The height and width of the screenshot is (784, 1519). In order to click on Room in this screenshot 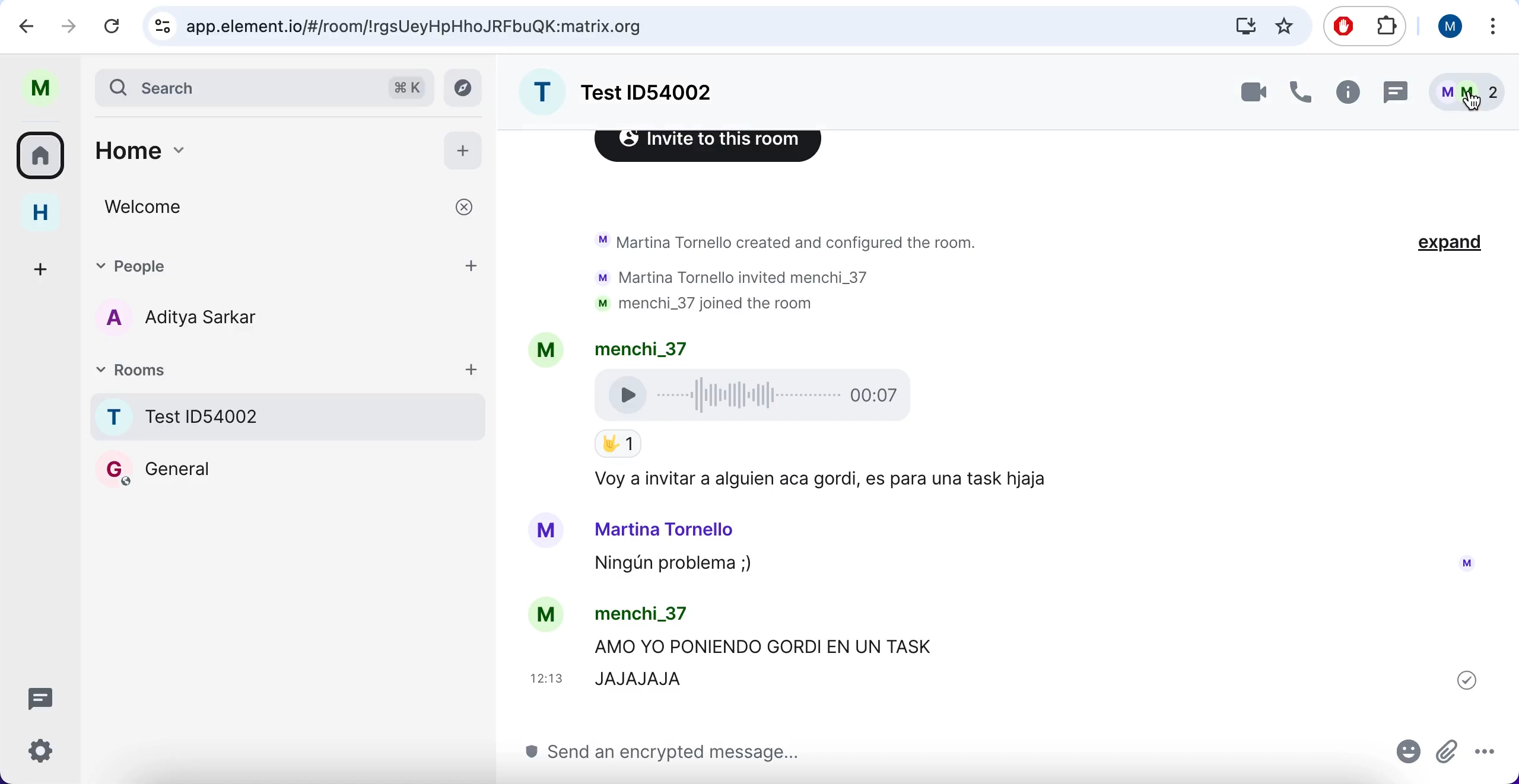, I will do `click(285, 467)`.